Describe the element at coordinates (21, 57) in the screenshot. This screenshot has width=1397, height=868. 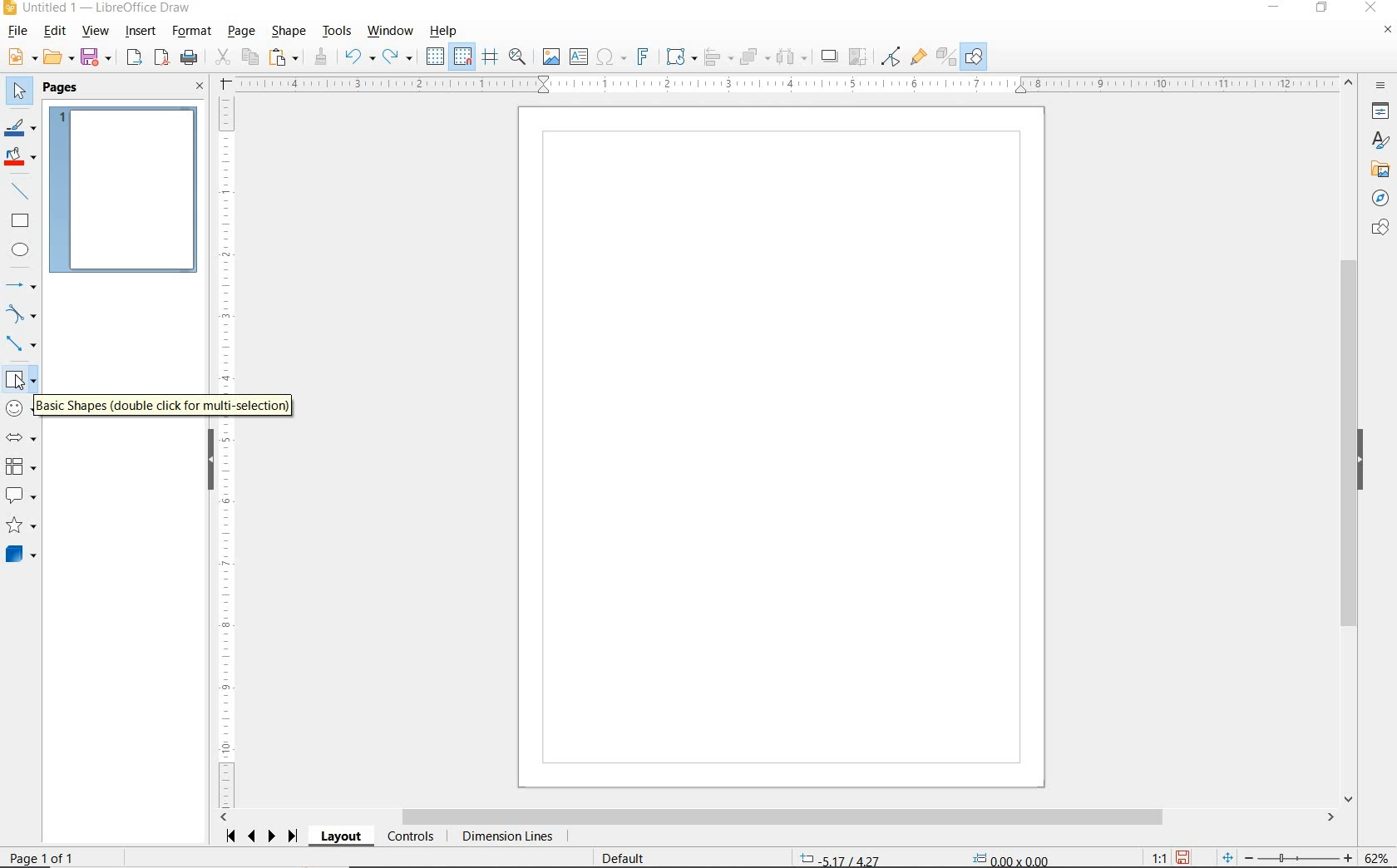
I see `NEW` at that location.